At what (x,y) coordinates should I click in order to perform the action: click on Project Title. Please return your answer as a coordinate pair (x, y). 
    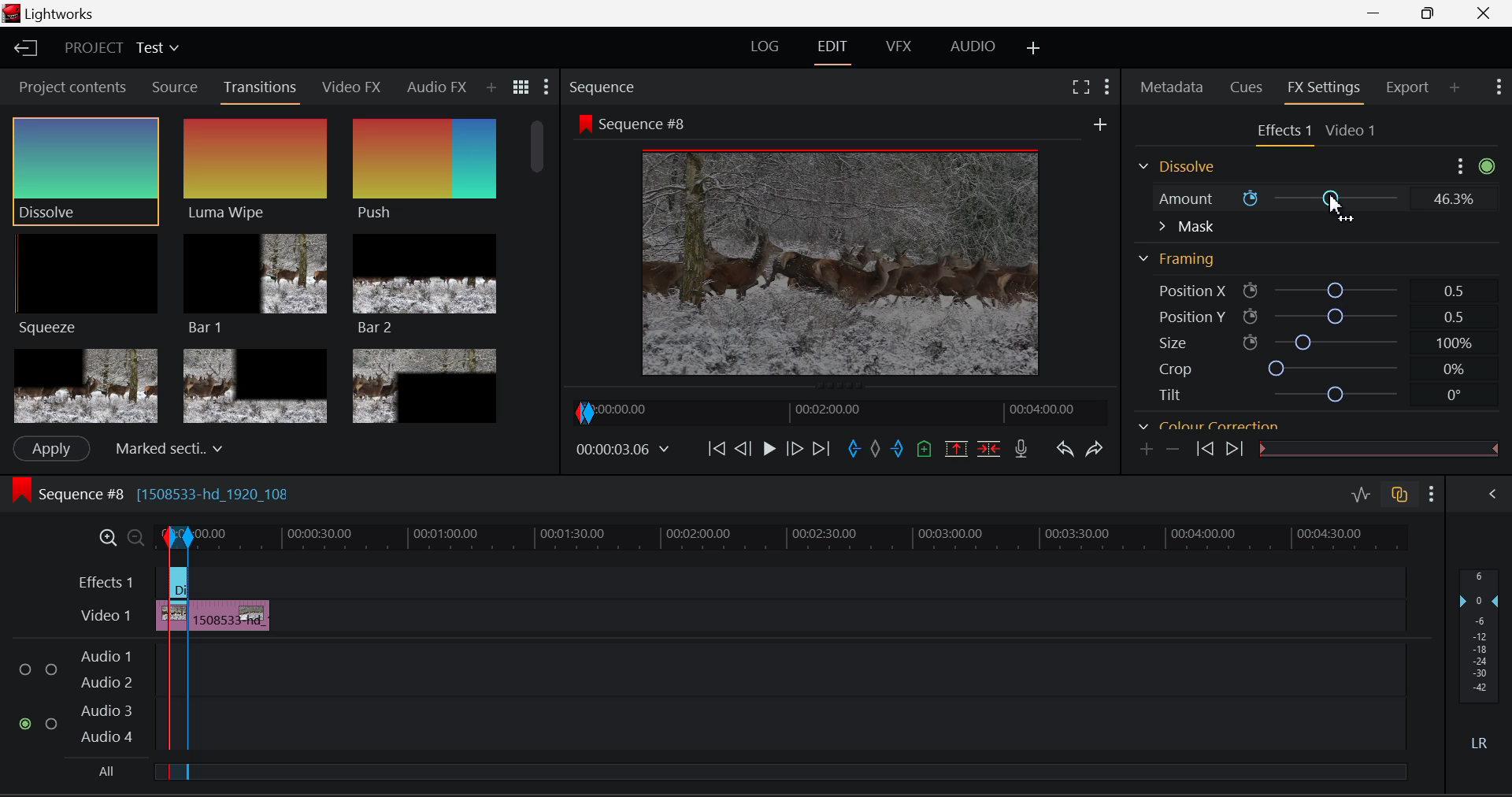
    Looking at the image, I should click on (120, 46).